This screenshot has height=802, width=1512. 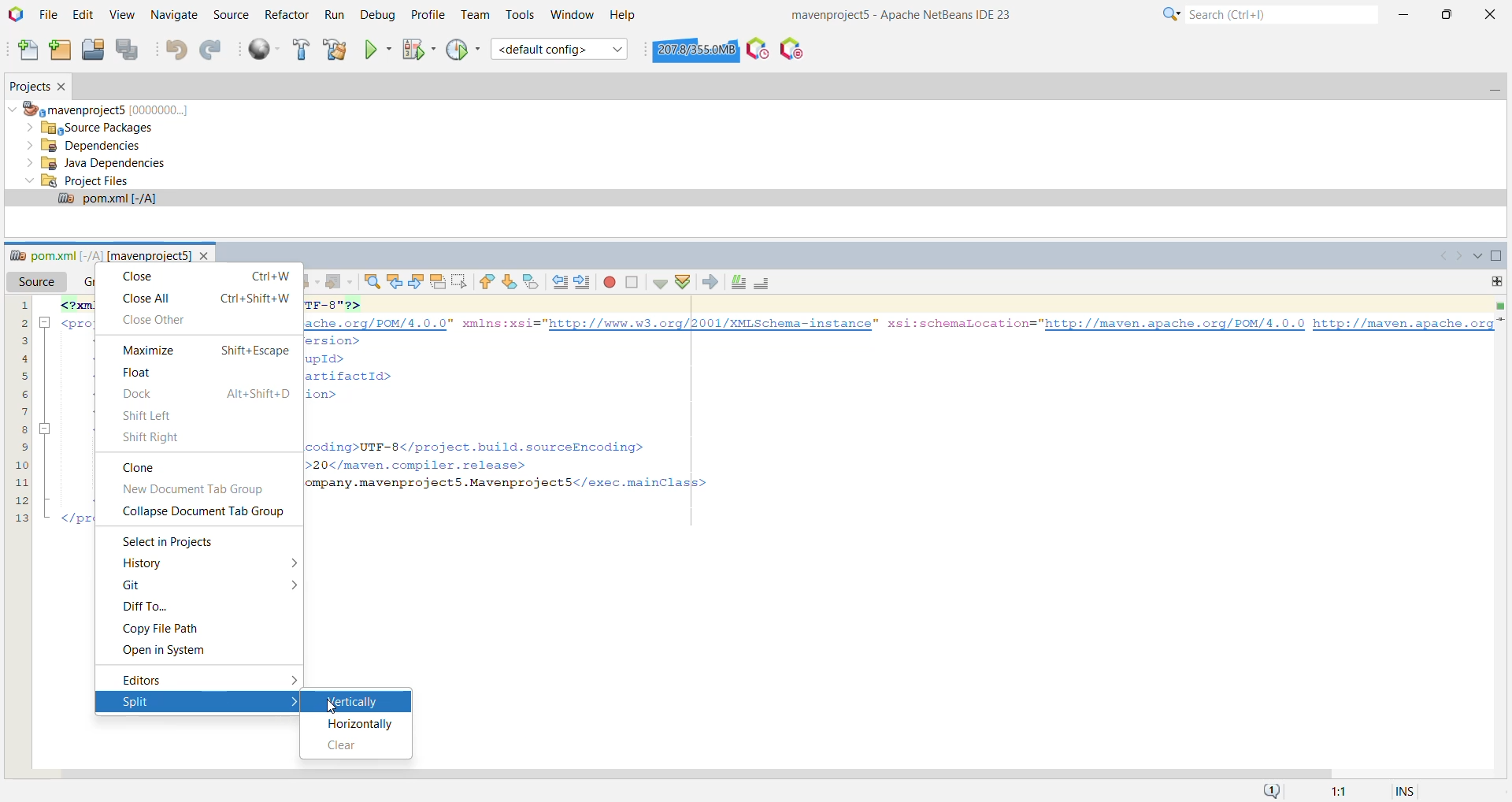 What do you see at coordinates (372, 283) in the screenshot?
I see `Find Selection` at bounding box center [372, 283].